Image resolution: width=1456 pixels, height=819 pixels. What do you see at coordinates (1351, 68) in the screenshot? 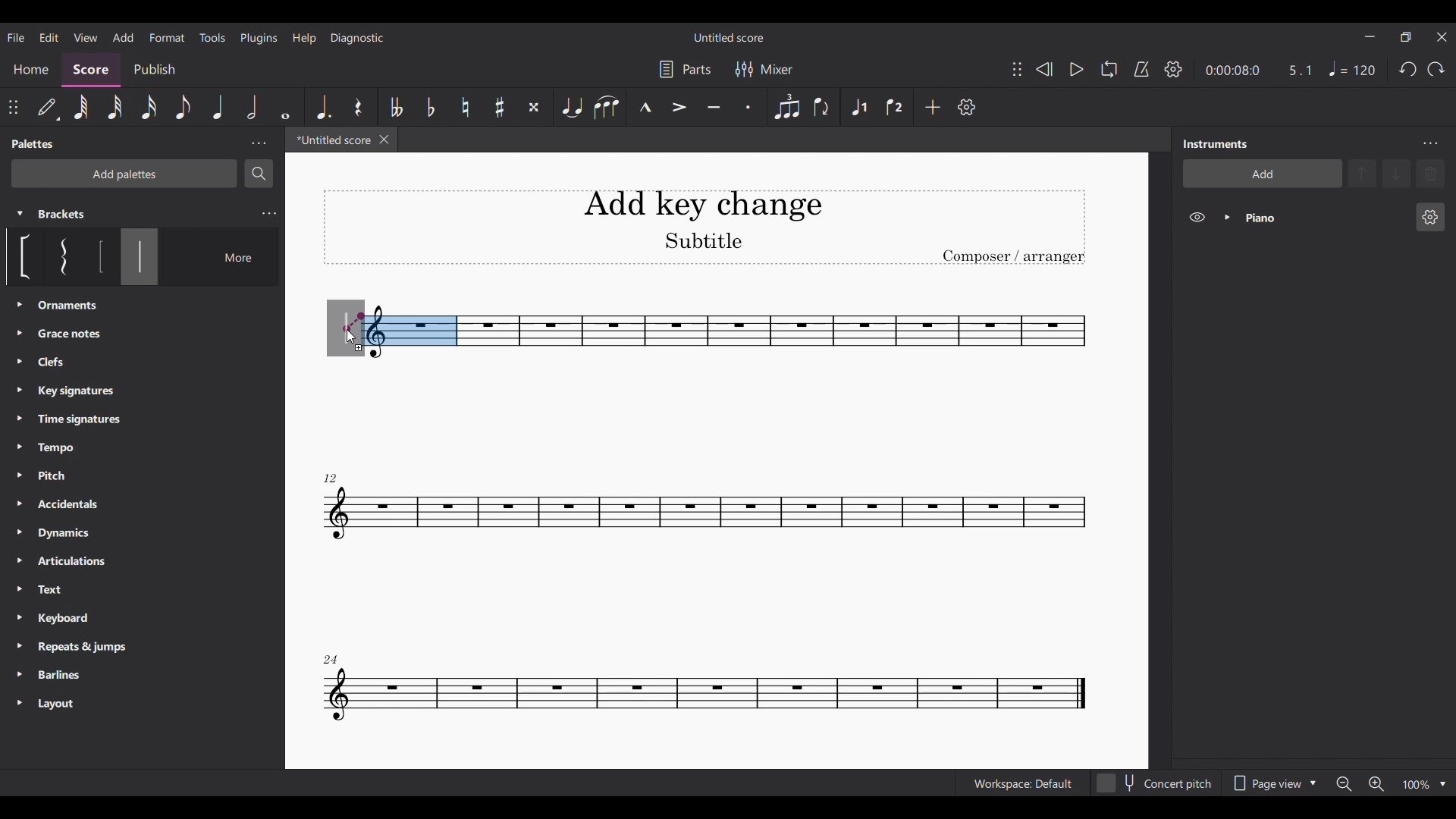
I see `Quarter note` at bounding box center [1351, 68].